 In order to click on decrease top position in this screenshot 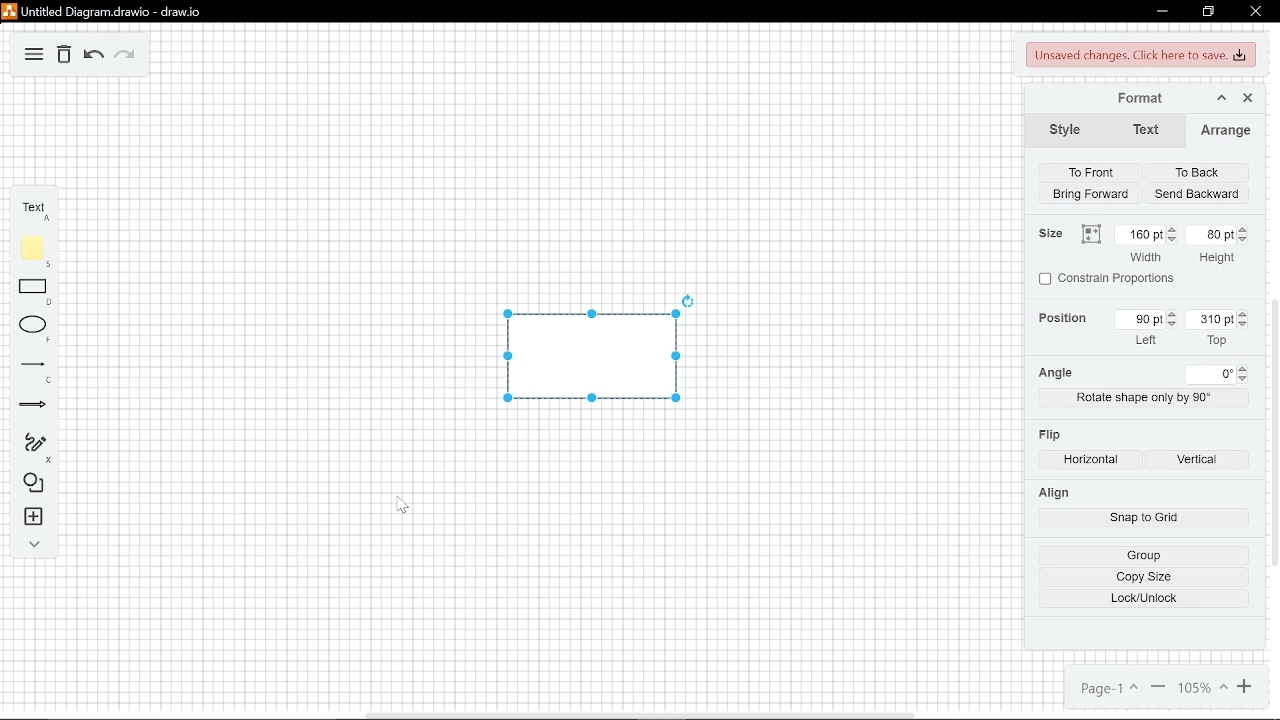, I will do `click(1171, 325)`.